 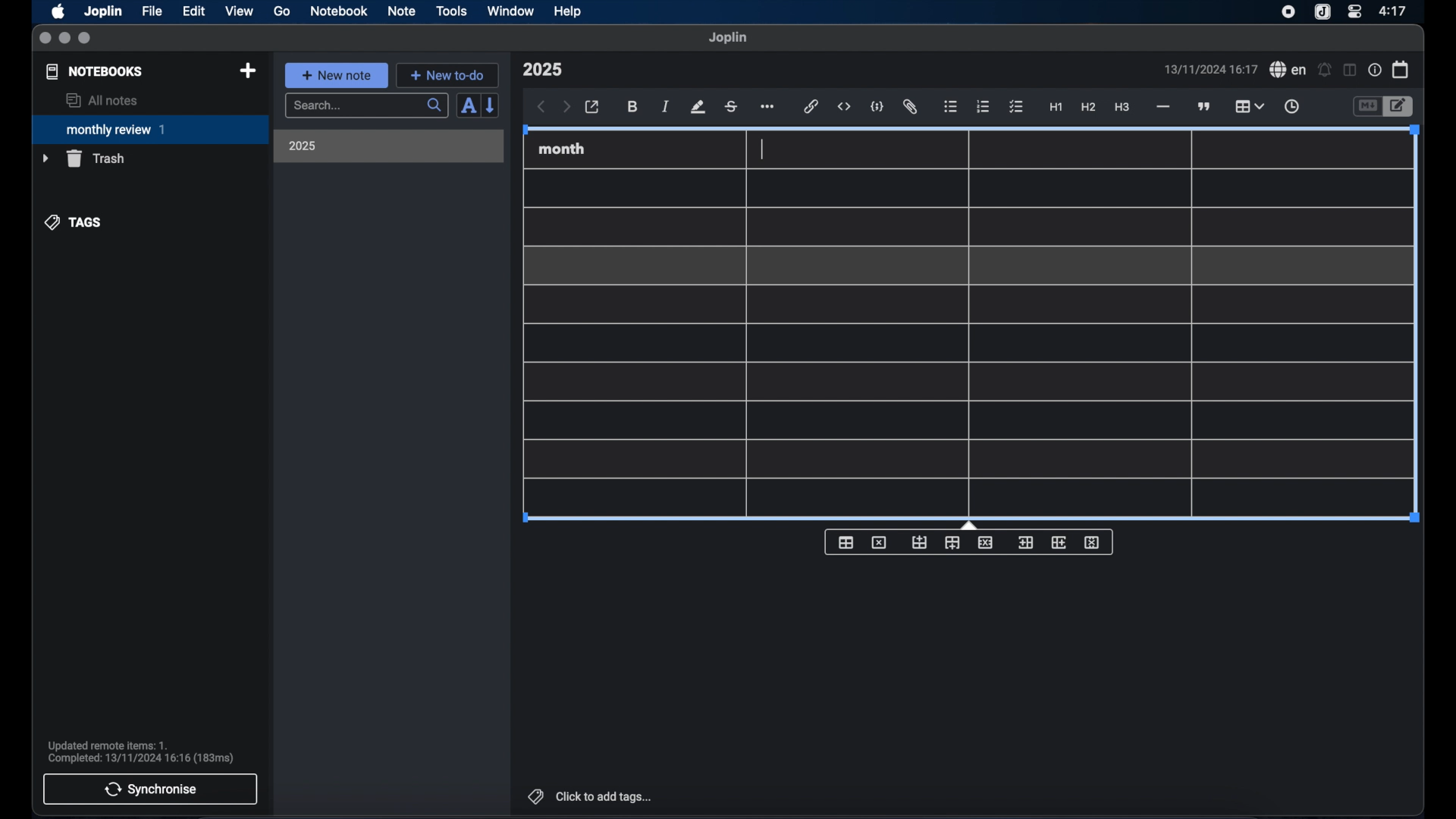 I want to click on apple icon, so click(x=57, y=11).